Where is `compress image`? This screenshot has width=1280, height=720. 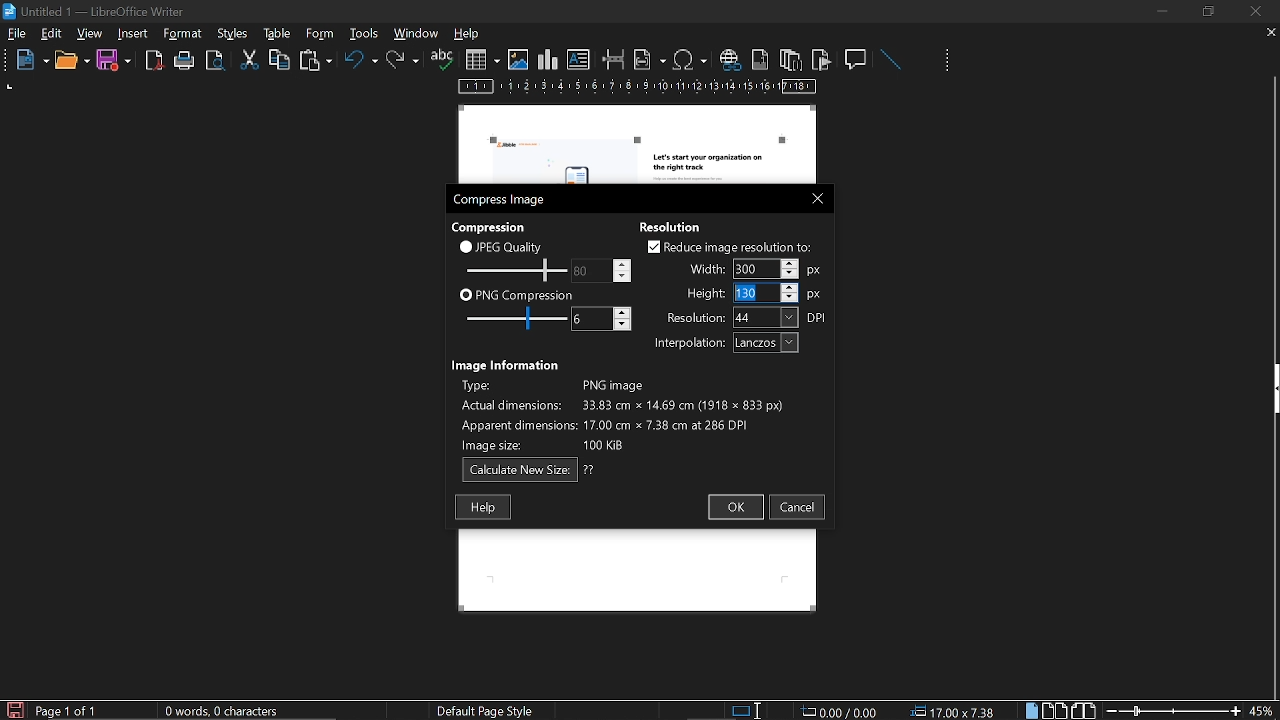
compress image is located at coordinates (502, 200).